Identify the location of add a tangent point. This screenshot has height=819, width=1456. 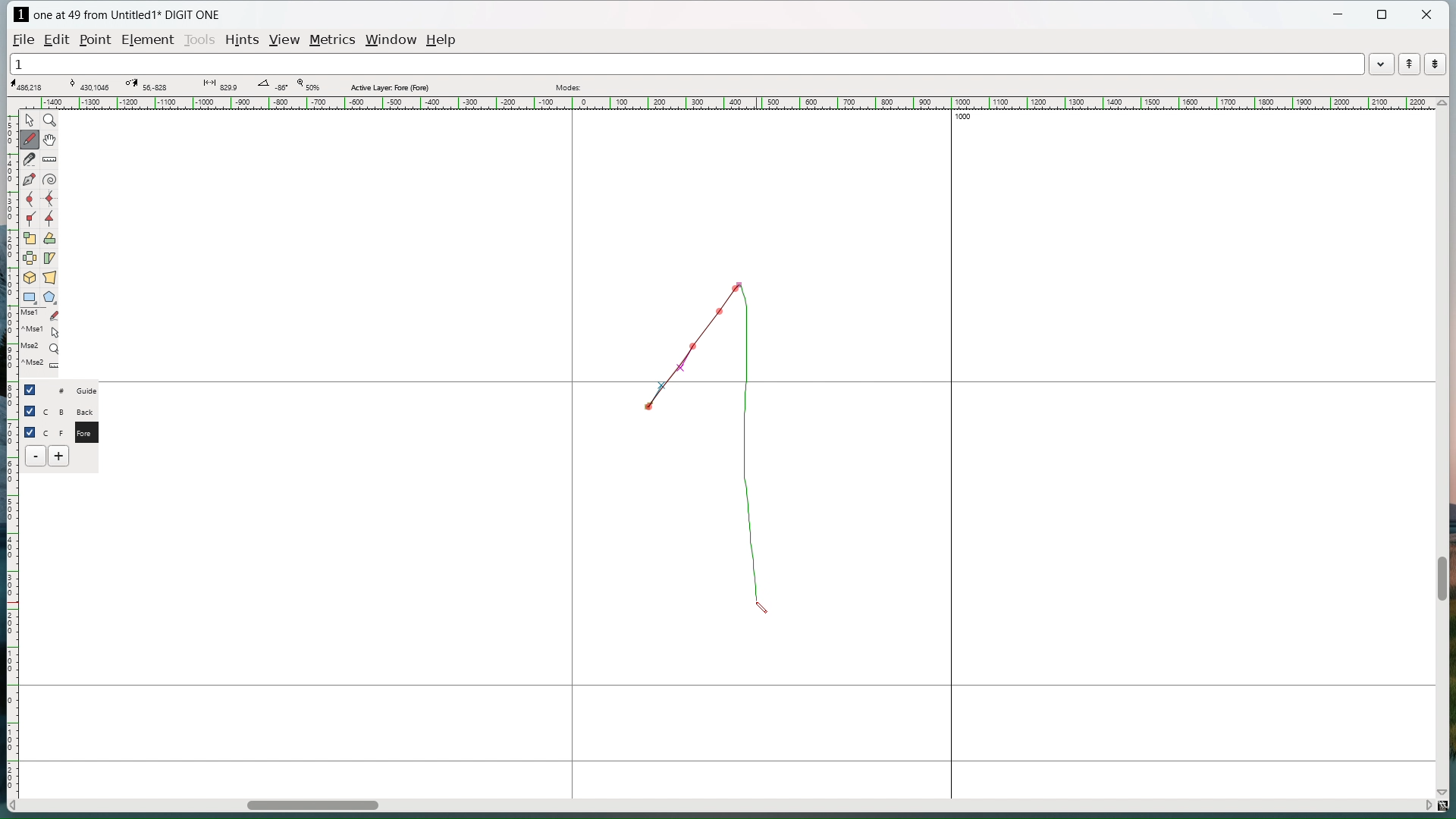
(49, 218).